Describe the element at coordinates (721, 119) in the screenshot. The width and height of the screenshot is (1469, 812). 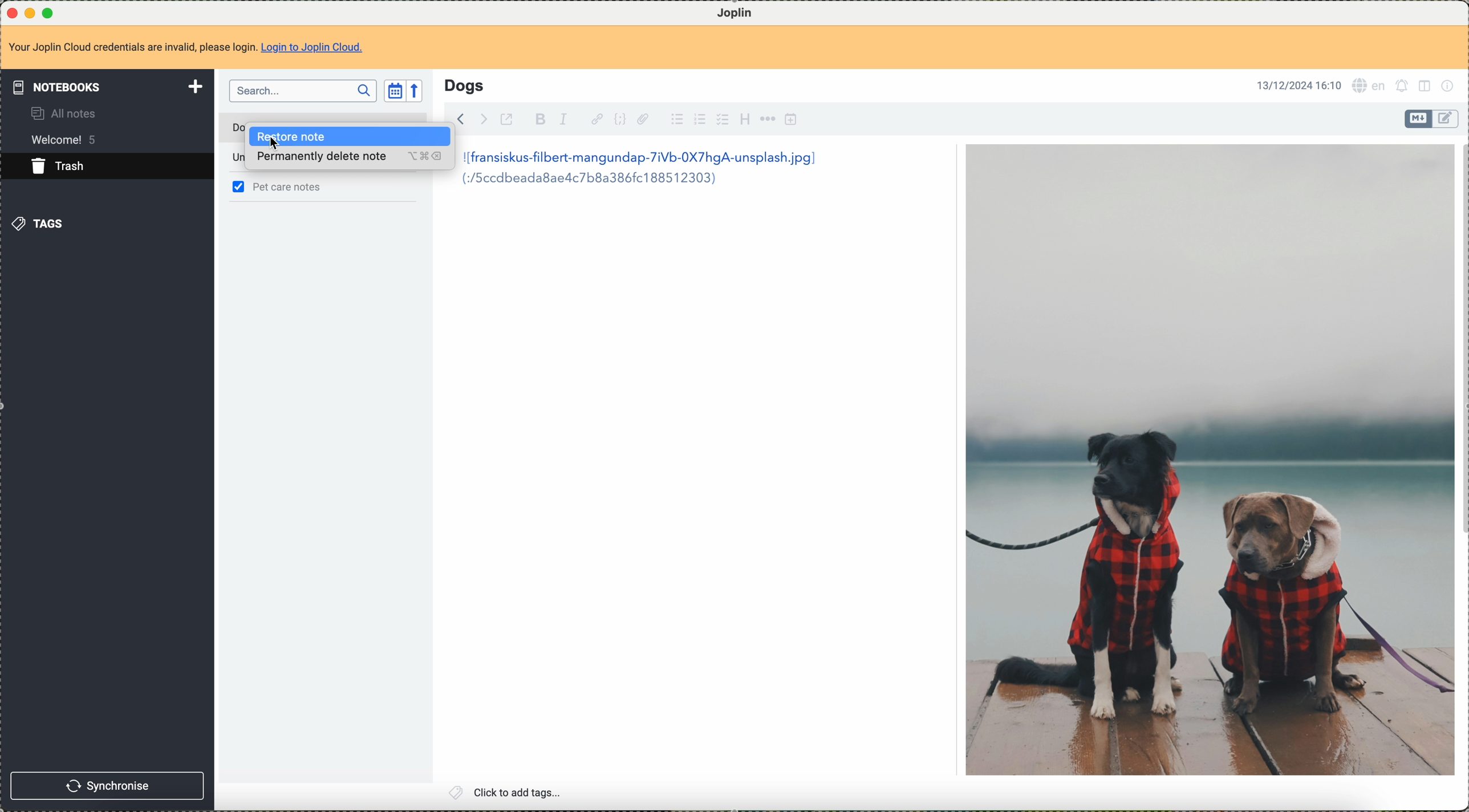
I see `checkbox` at that location.